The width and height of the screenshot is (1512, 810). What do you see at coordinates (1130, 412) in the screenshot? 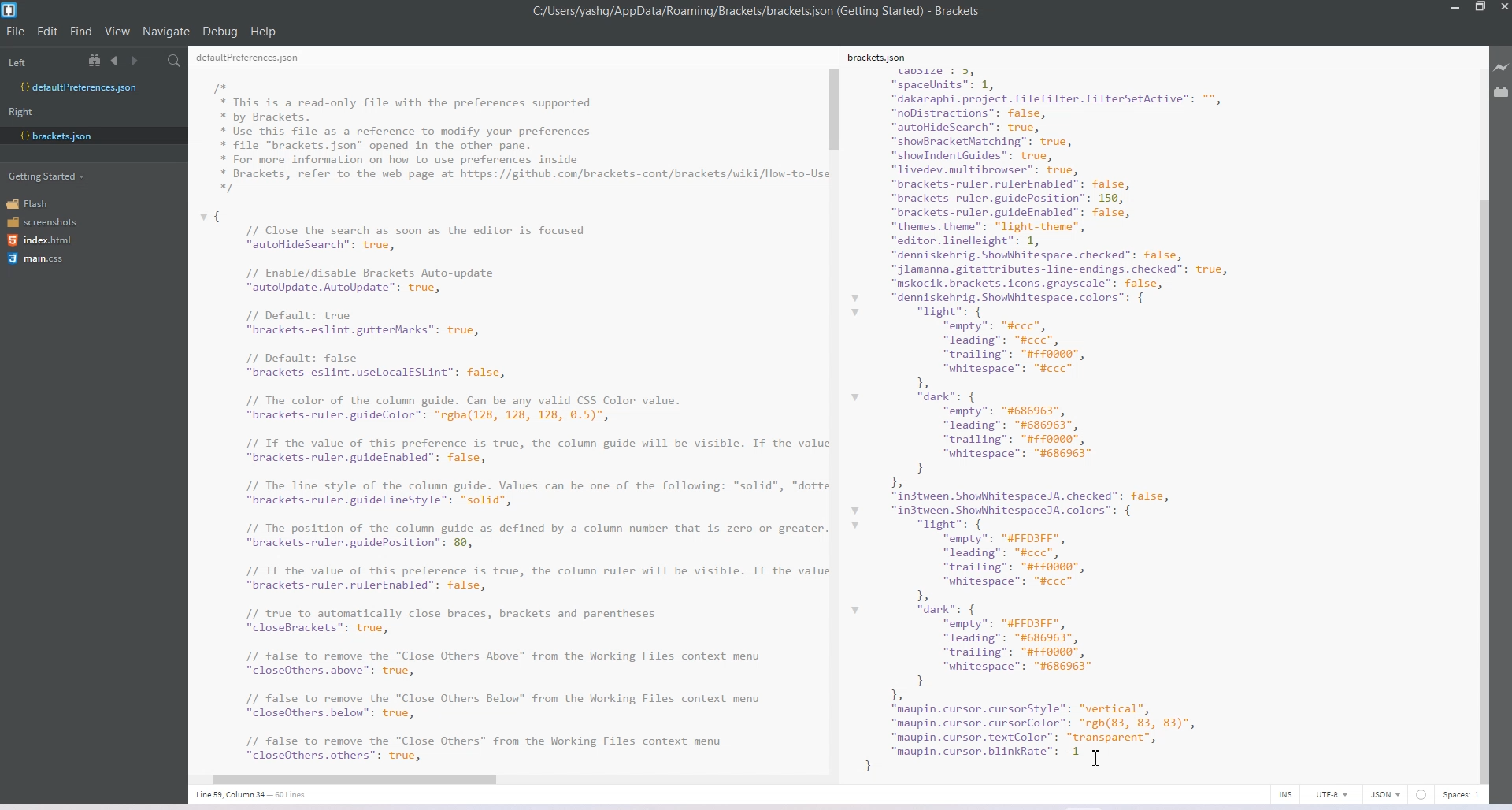
I see `kets. son
size : 3,
“spacelnits": 1,
“dakaraphi.project. filefilter. filterSetActive”: "*,
“noDistractions”: false,
“autohideSearch”: true,
“showBracketMatching”: true,
“showIndentGuides”: true,
“livedev.multibrowser”: true,
“brackets-ruler.rulerEnabled": false,
“brackets-ruler.guidePosition”: 150,
“brackets-ruler.guideEnabled": false,
“themes theme": "light-theme",
“editor. lineHeight": 1,
“denniskehrig. Showhhitespace. checked": false,
“jlamanna.gitattributes-line-endings. checked": true,
“mskocik.brackets.icons.grayscale": false,
“denniskehrig. Showhitespace. colors”: {
“light”: {
“empty”: "#ccc”,
“leading”: "#ccc”,
“trailing”: "#0000",
“whitespace”: "#ccc”
b
“dark”: {
“empty”: "#686963",
["leading”: "#686963",
“trailing”: "#0000",
“whitespace”: "#686963"
}
Ia
“in3tween. ShowhhitespaceJA. checked": false,
“in3tween. ShowhhitespaceJA. colors”: {
“light”: {
“empty”: "#FFDIFF",
“leading”: "#ccc”,
“trailing”: "#0000",
“whitespace”: "#ccc”
bh
“dark”: {
“empty”: "#FFDIFF",
“leading”: "#686963",
“trailing”: "#0000",
“whitespace”: "#686963"
}
b
“maupin. cursor. cursorStyle”: “vertical”,
“maupin. cursor. cursorColor™: "rgh(83, 83, 83)",
“maupin.cursor.textColor”: “transparent”,
“maupin. cursor. blinkRate": 1000 |
:` at bounding box center [1130, 412].